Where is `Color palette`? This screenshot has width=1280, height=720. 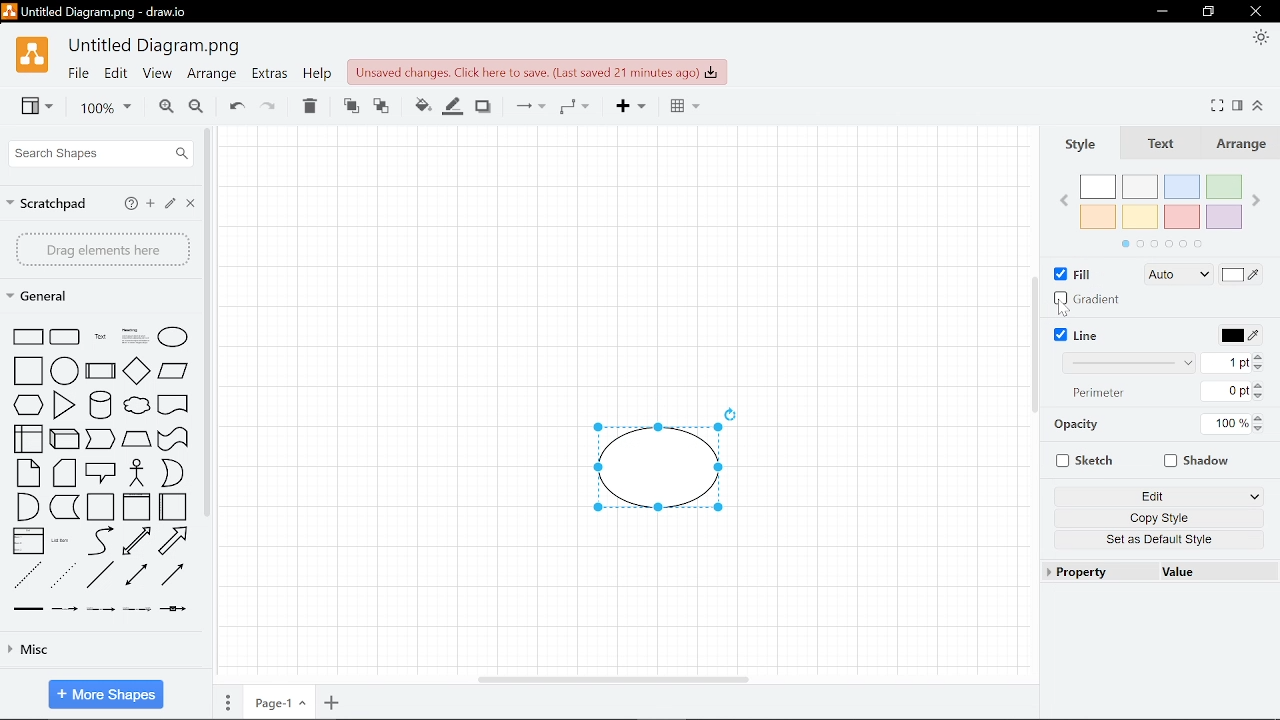 Color palette is located at coordinates (1161, 204).